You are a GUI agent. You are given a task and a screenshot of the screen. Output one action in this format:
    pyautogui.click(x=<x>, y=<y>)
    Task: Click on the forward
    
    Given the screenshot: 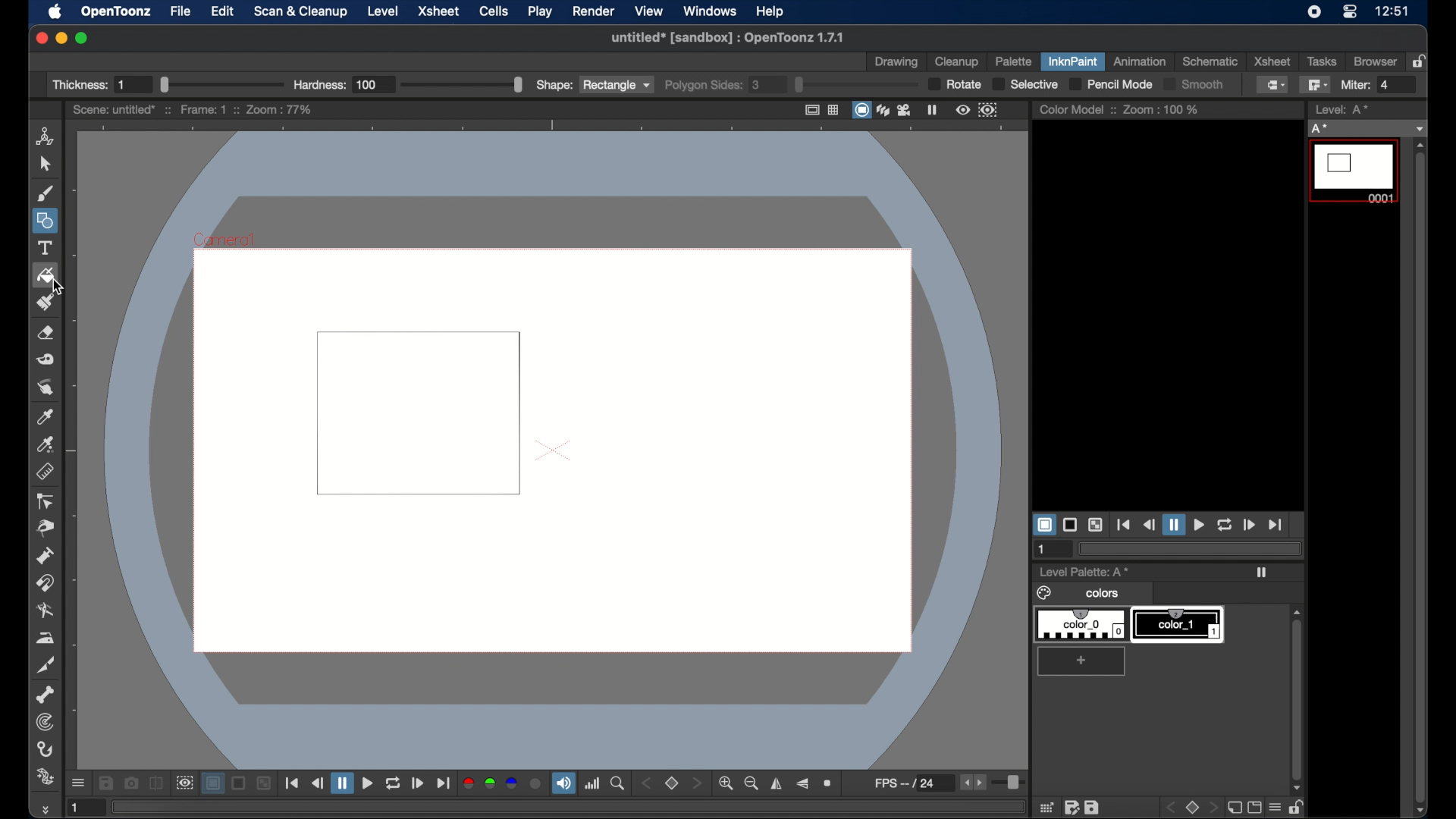 What is the action you would take?
    pyautogui.click(x=418, y=783)
    